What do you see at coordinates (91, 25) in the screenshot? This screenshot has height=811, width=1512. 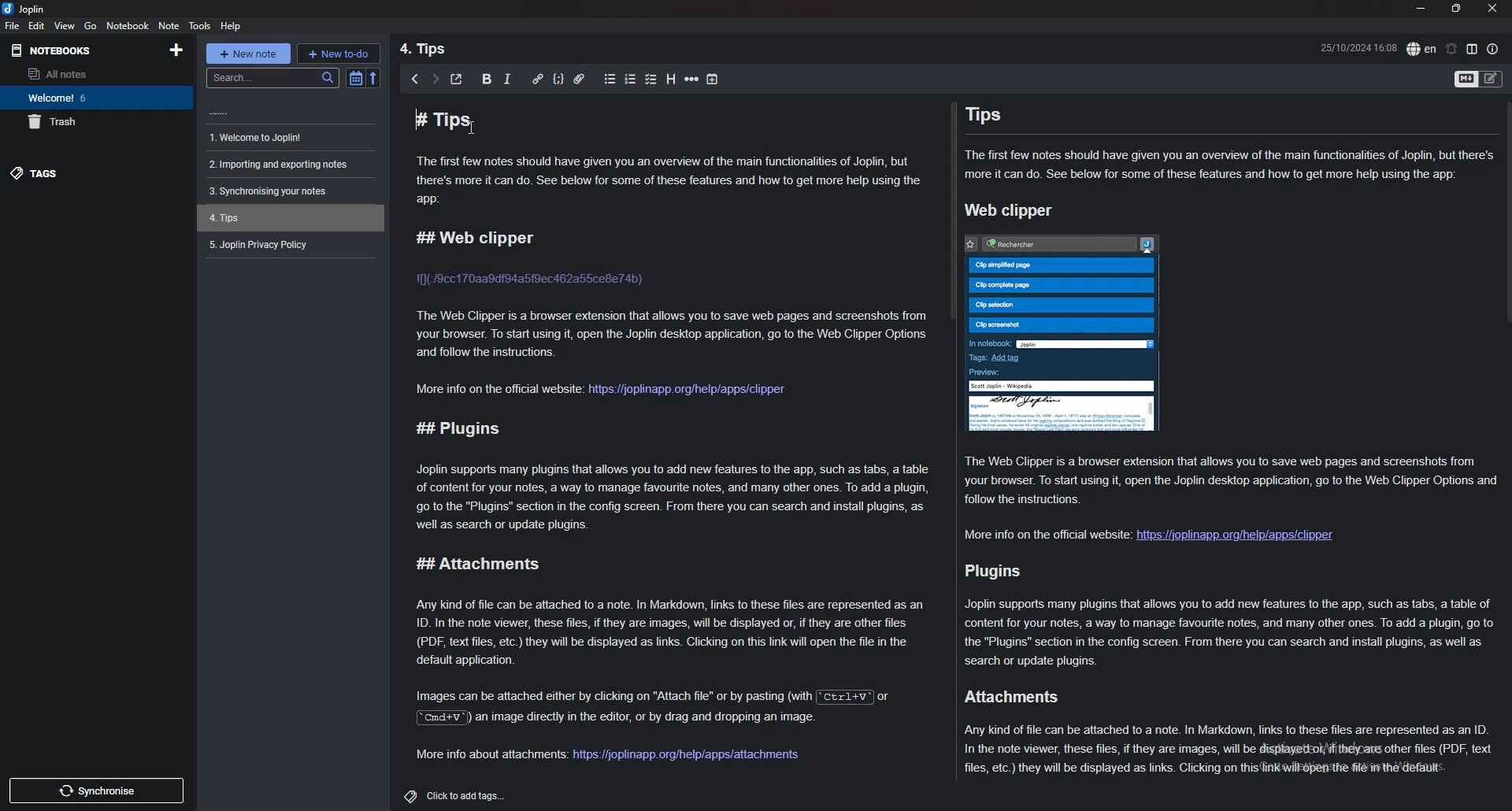 I see `go` at bounding box center [91, 25].